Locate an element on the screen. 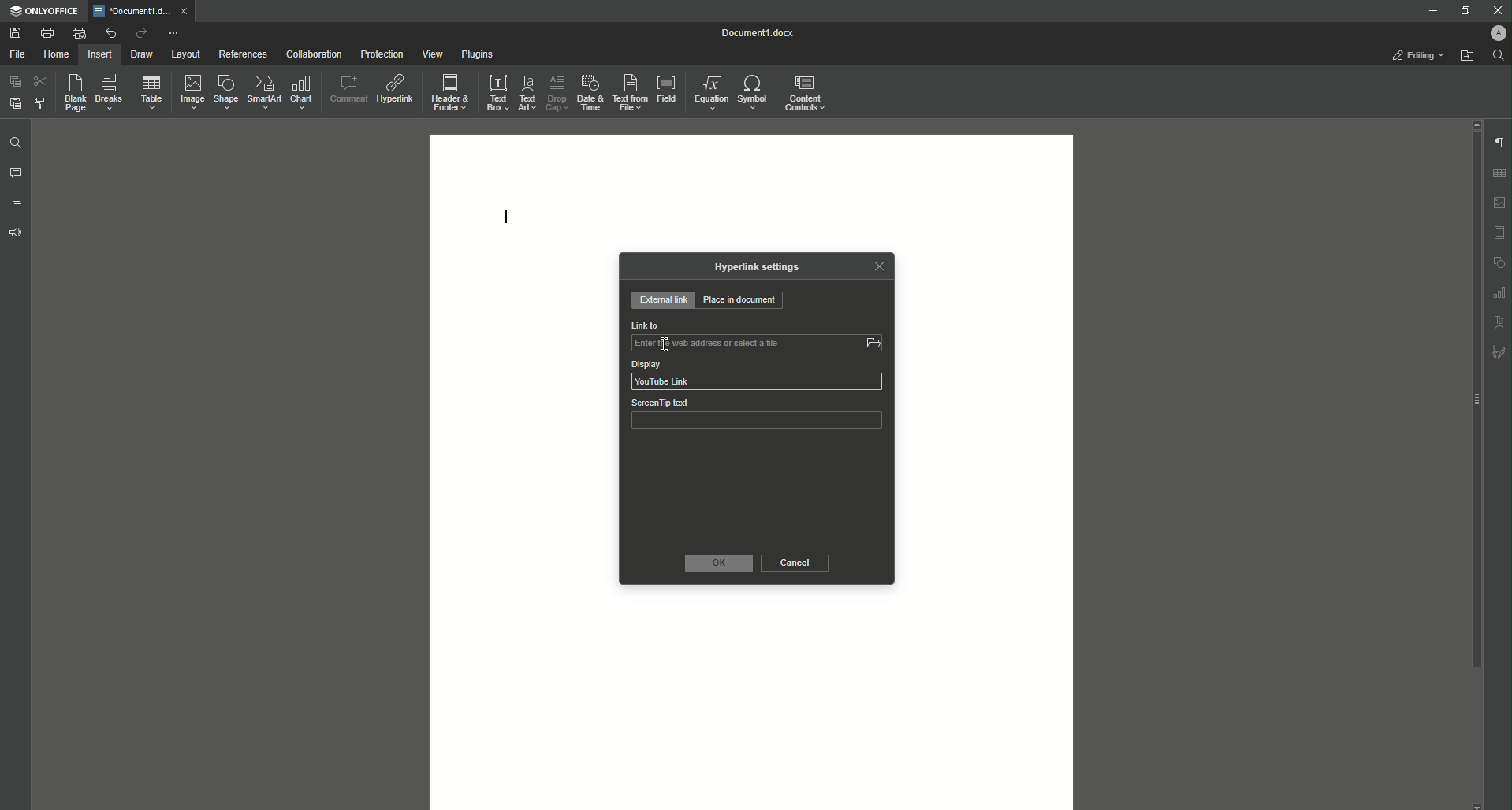  Document1.docx is located at coordinates (762, 32).